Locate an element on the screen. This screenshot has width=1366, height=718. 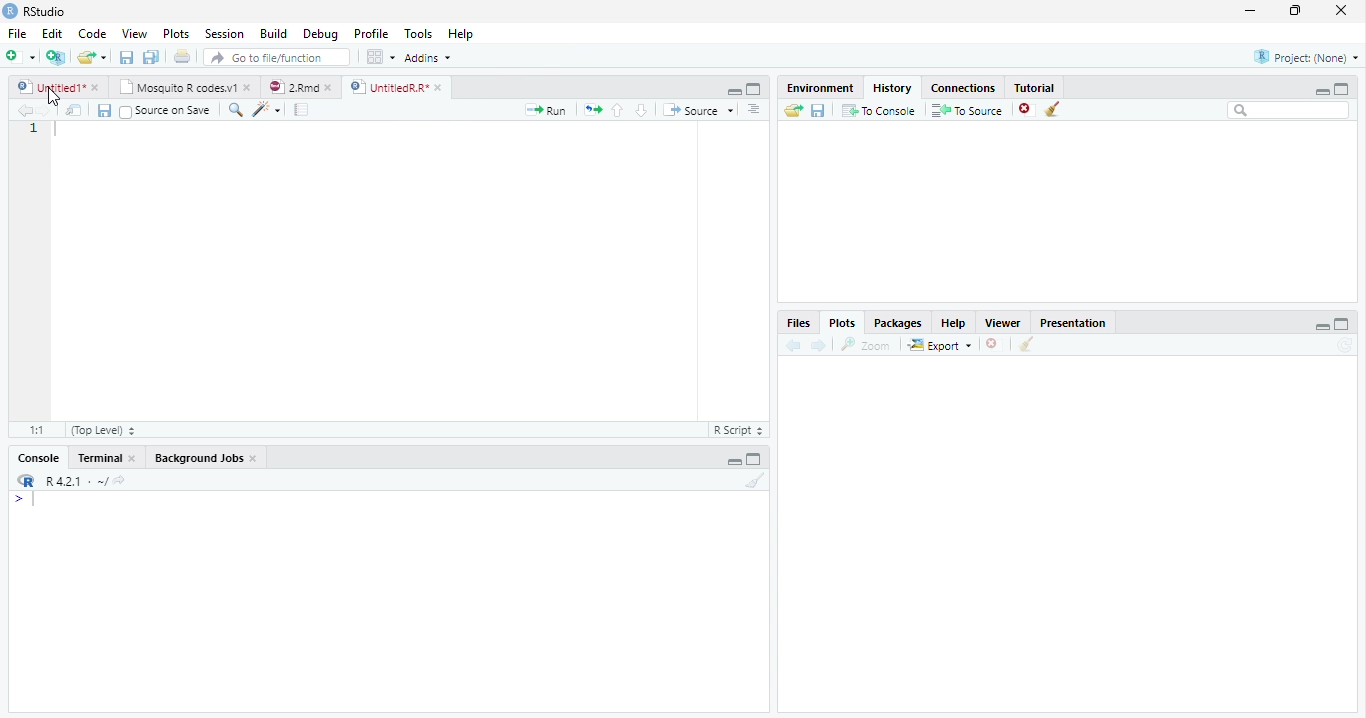
Environment is located at coordinates (822, 89).